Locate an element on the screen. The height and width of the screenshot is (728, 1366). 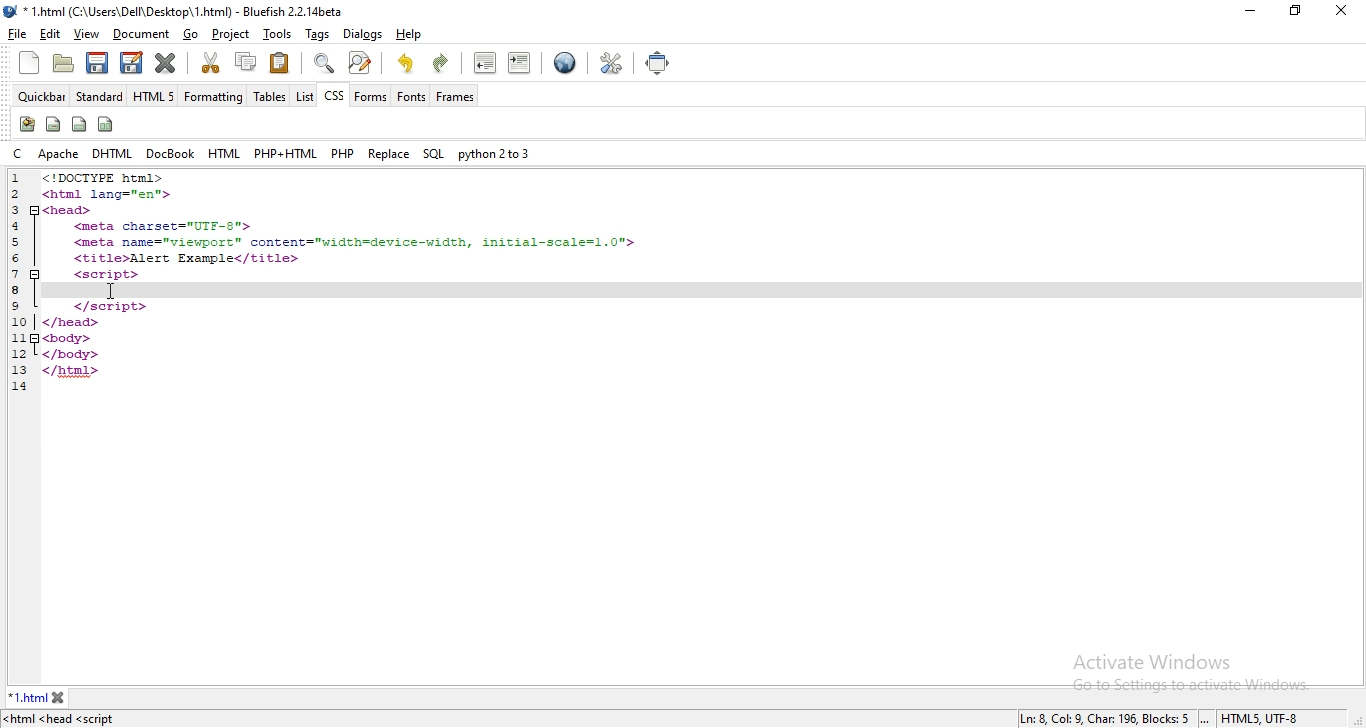
c is located at coordinates (16, 153).